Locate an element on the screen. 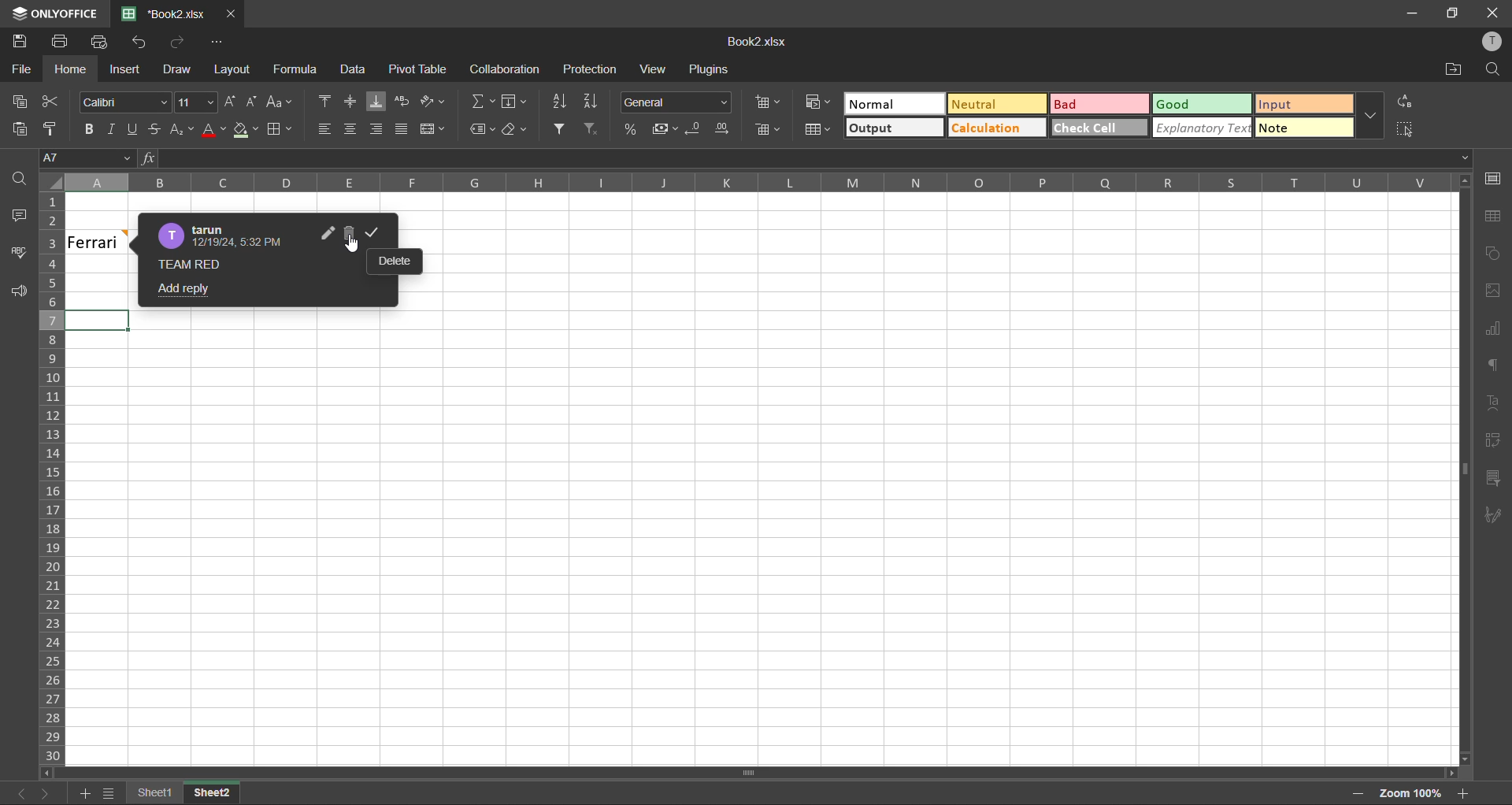  text is located at coordinates (1495, 402).